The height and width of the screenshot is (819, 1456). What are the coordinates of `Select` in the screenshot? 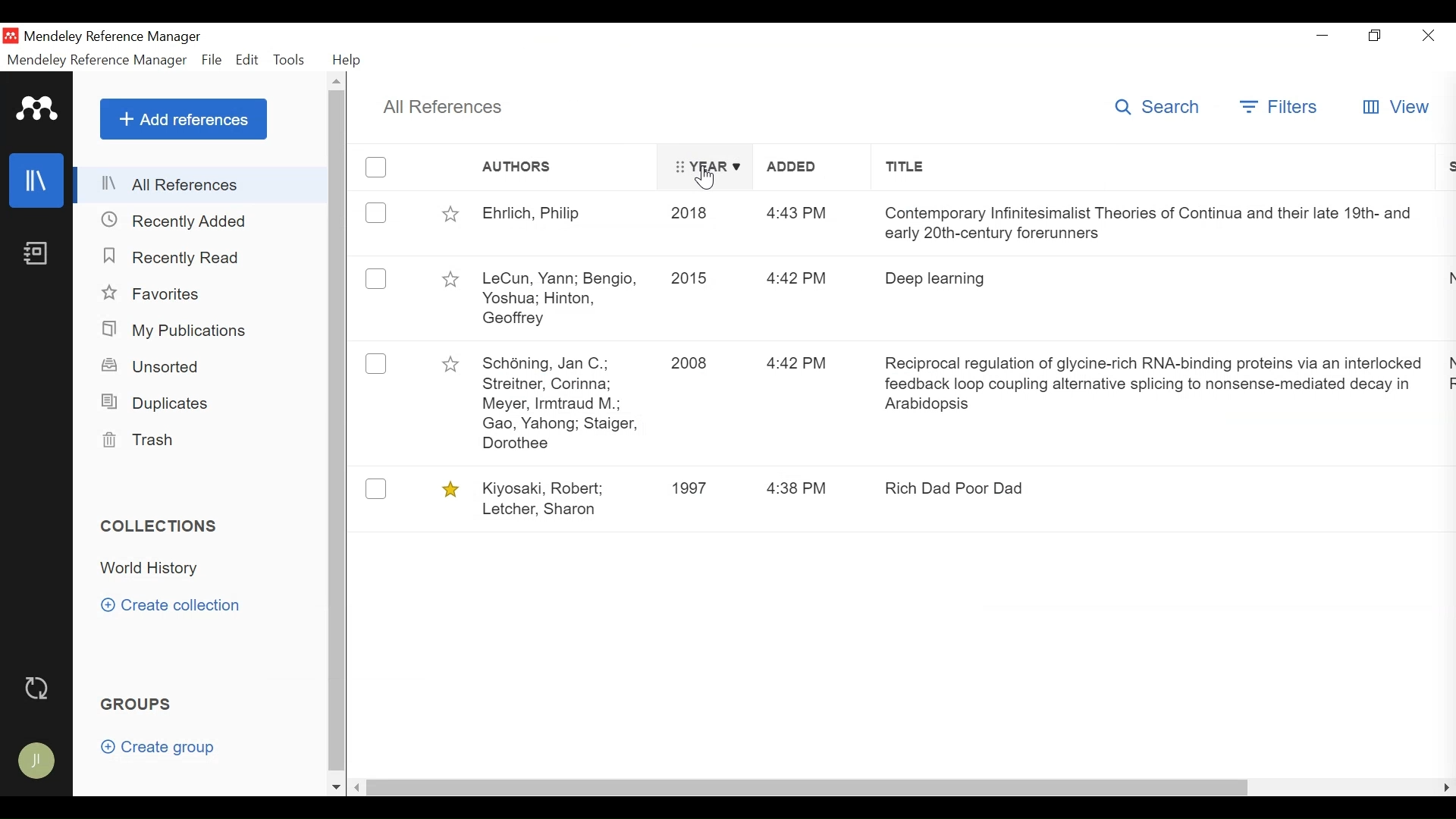 It's located at (376, 489).